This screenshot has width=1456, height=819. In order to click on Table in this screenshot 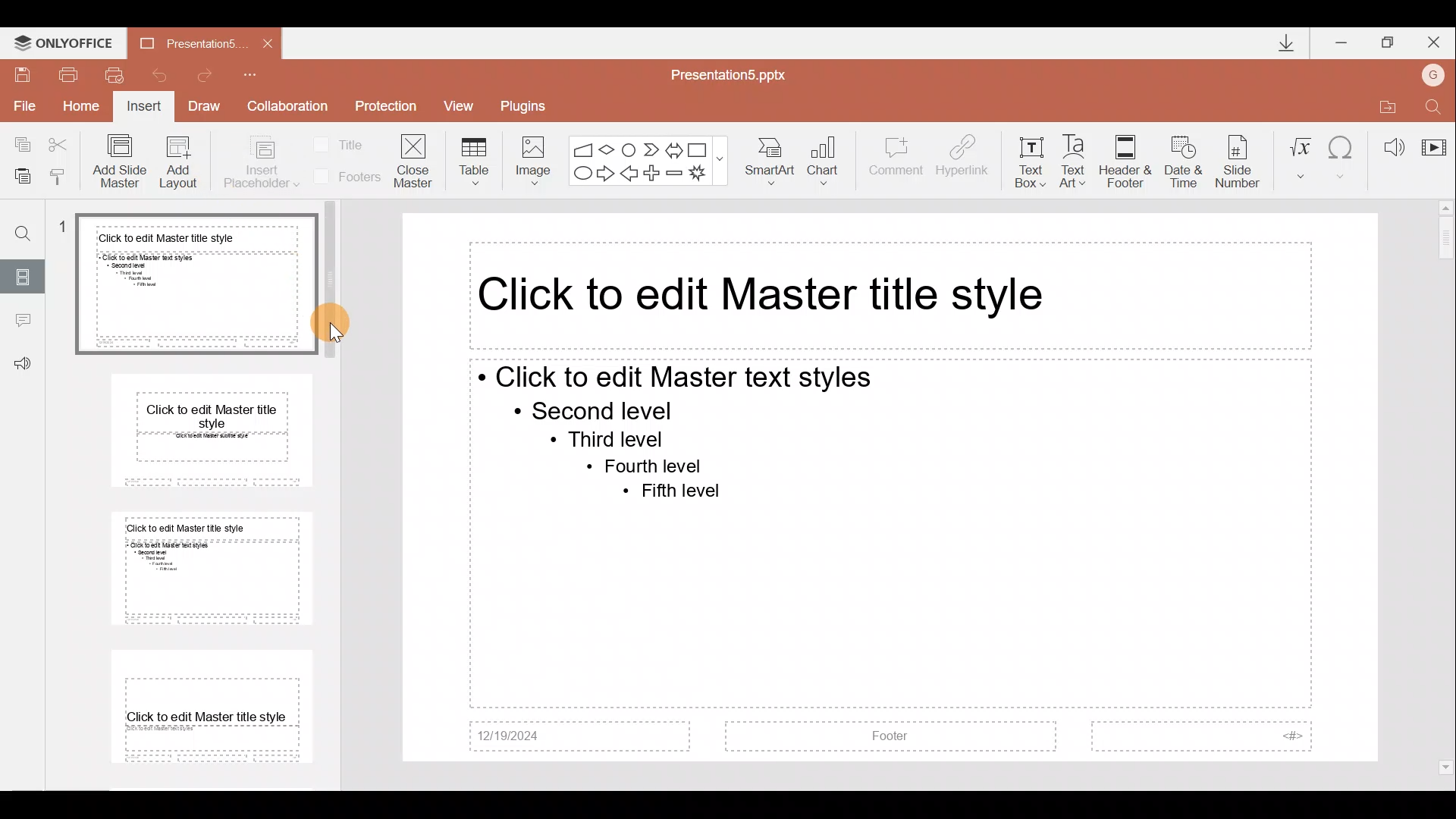, I will do `click(472, 160)`.